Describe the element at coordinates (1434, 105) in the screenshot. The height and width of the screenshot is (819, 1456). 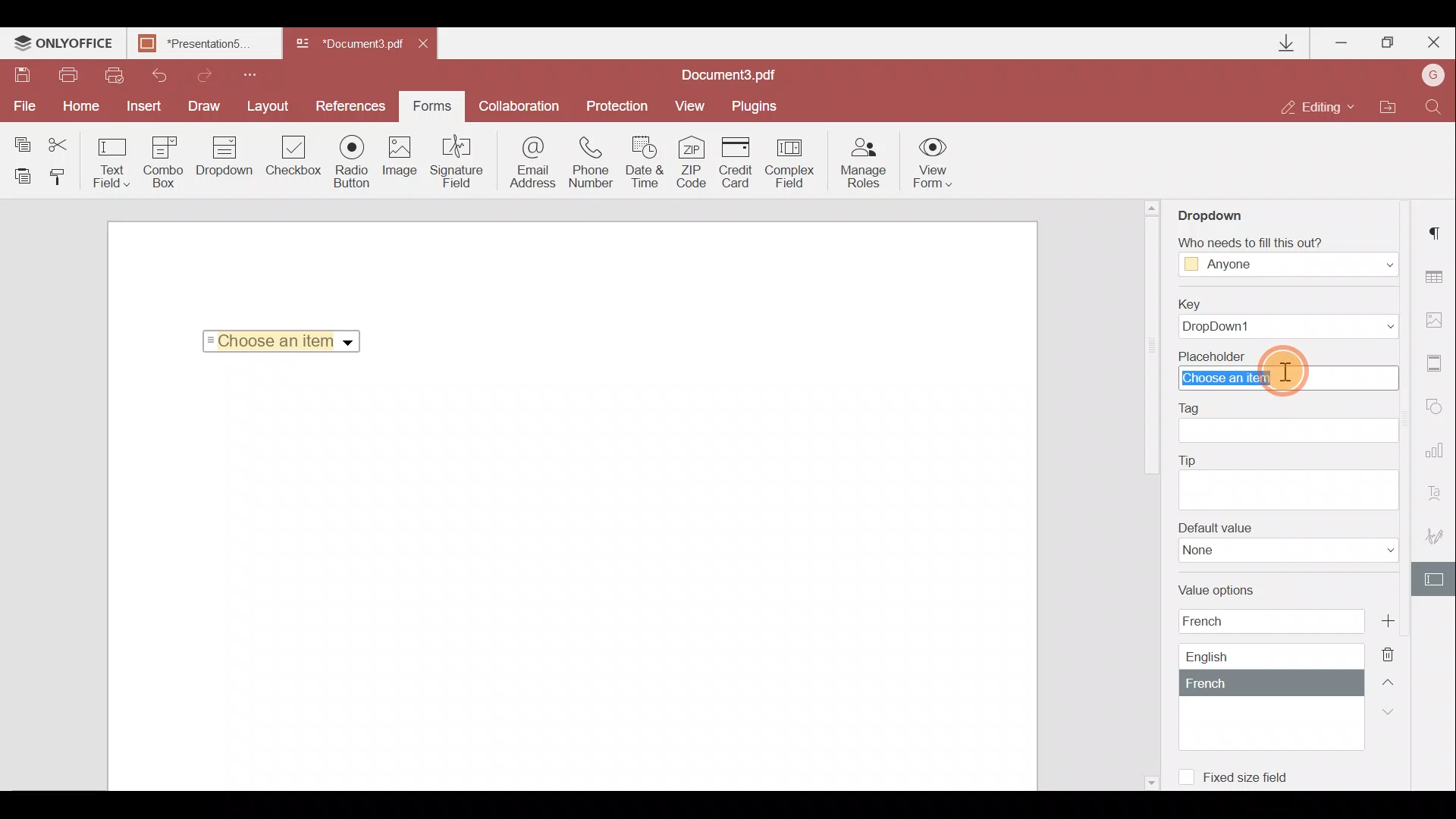
I see `Find` at that location.